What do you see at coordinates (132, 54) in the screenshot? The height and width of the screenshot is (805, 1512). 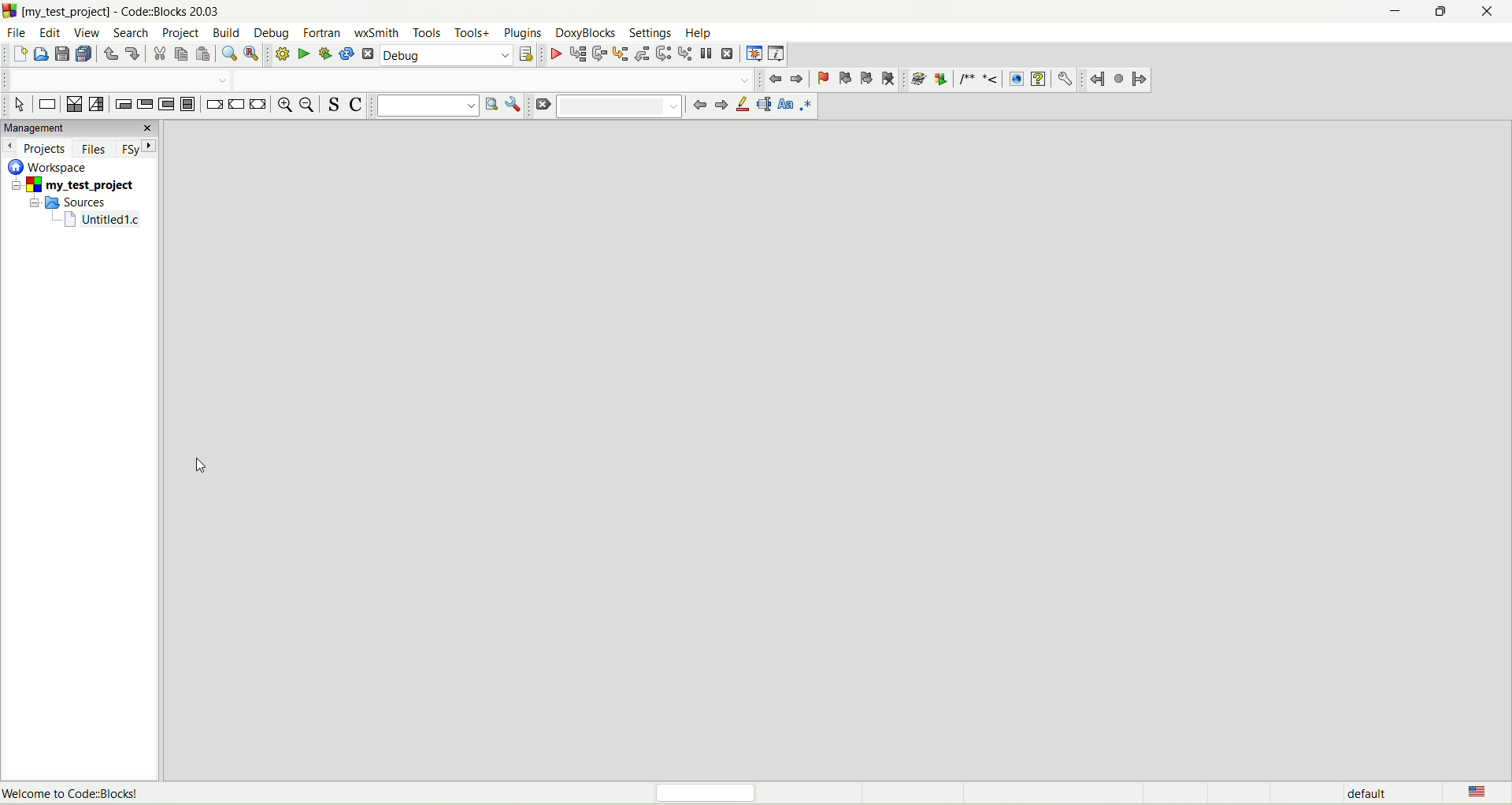 I see `redo` at bounding box center [132, 54].